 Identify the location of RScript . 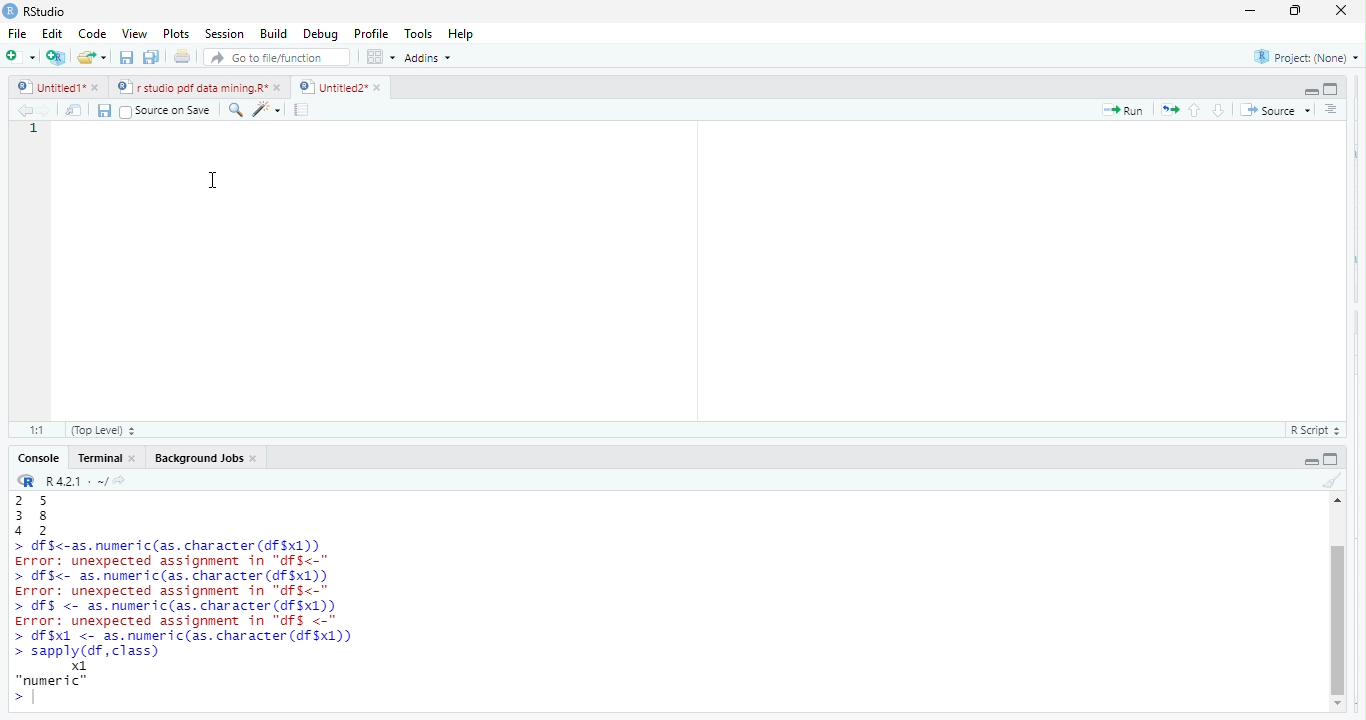
(1312, 430).